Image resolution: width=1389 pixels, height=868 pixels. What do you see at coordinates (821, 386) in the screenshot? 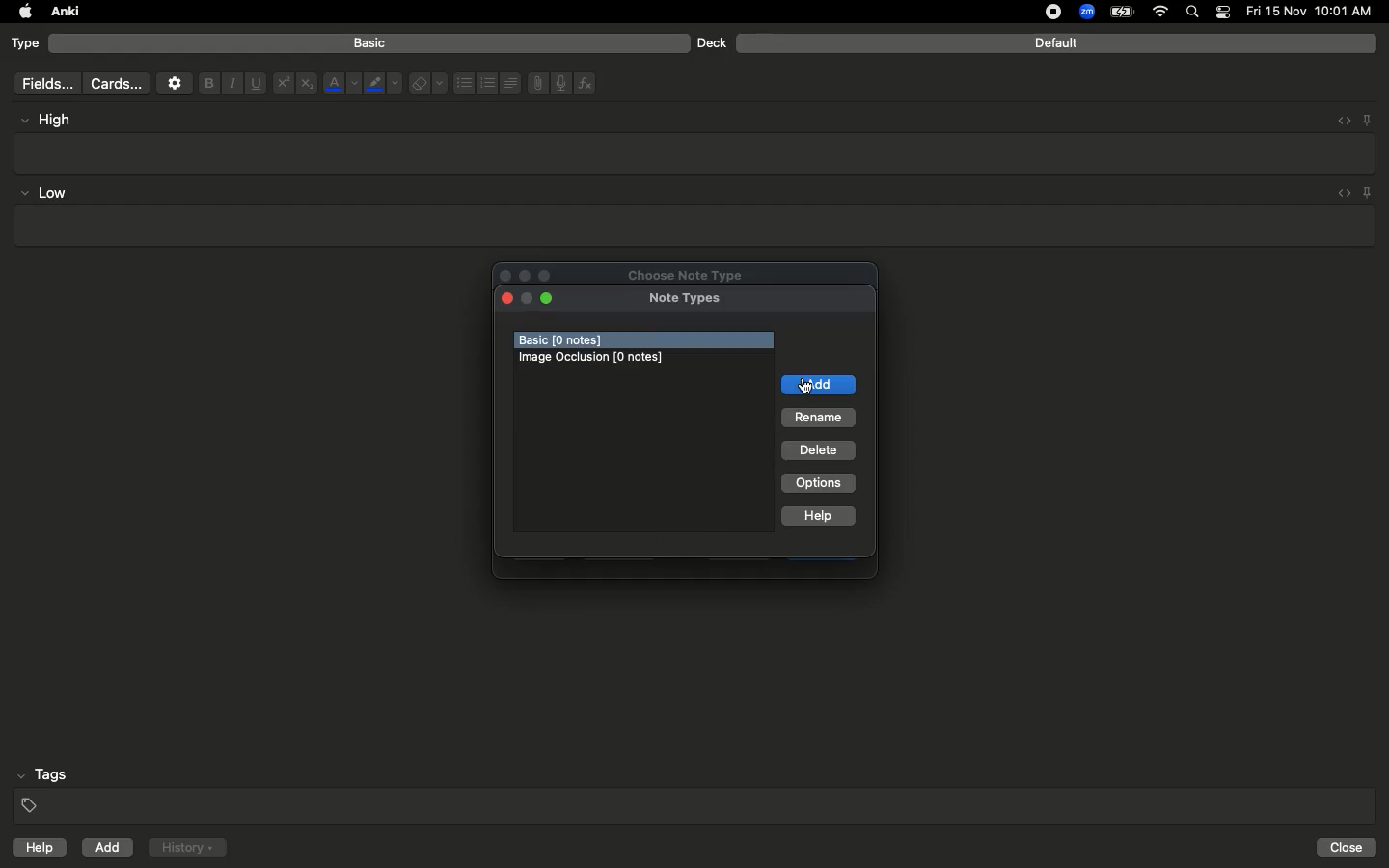
I see `Add` at bounding box center [821, 386].